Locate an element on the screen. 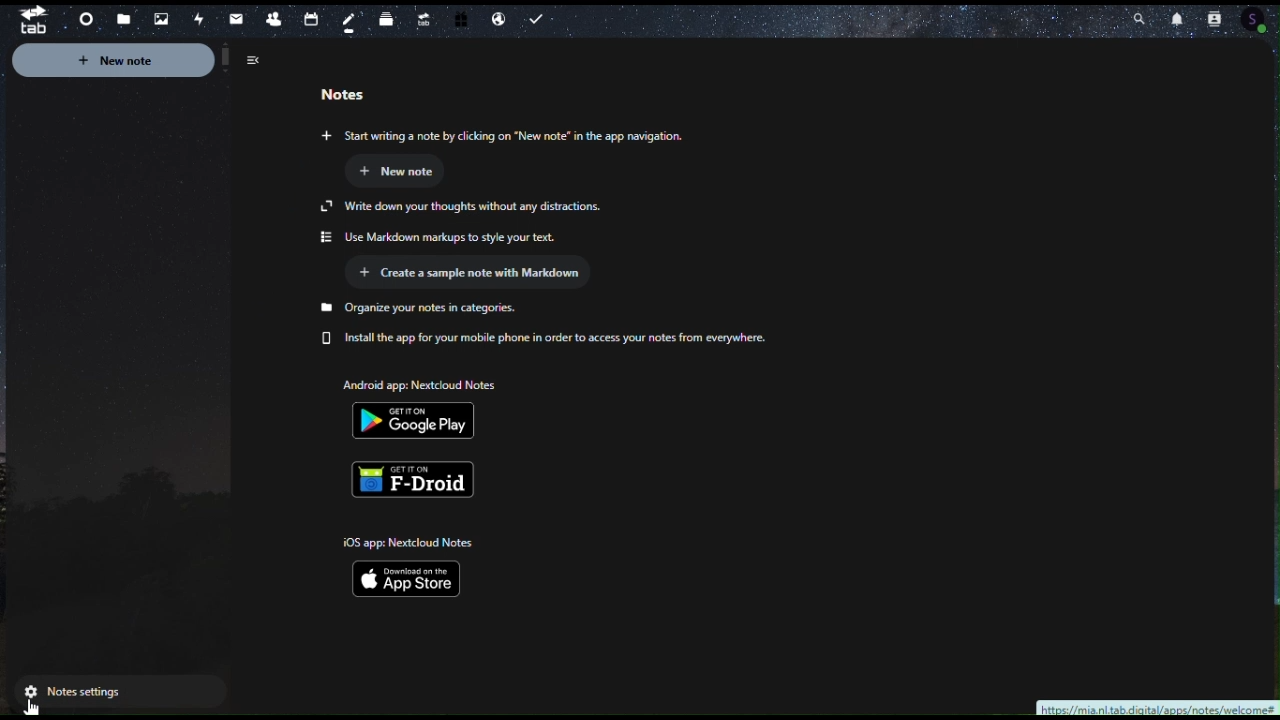  Task is located at coordinates (540, 20).